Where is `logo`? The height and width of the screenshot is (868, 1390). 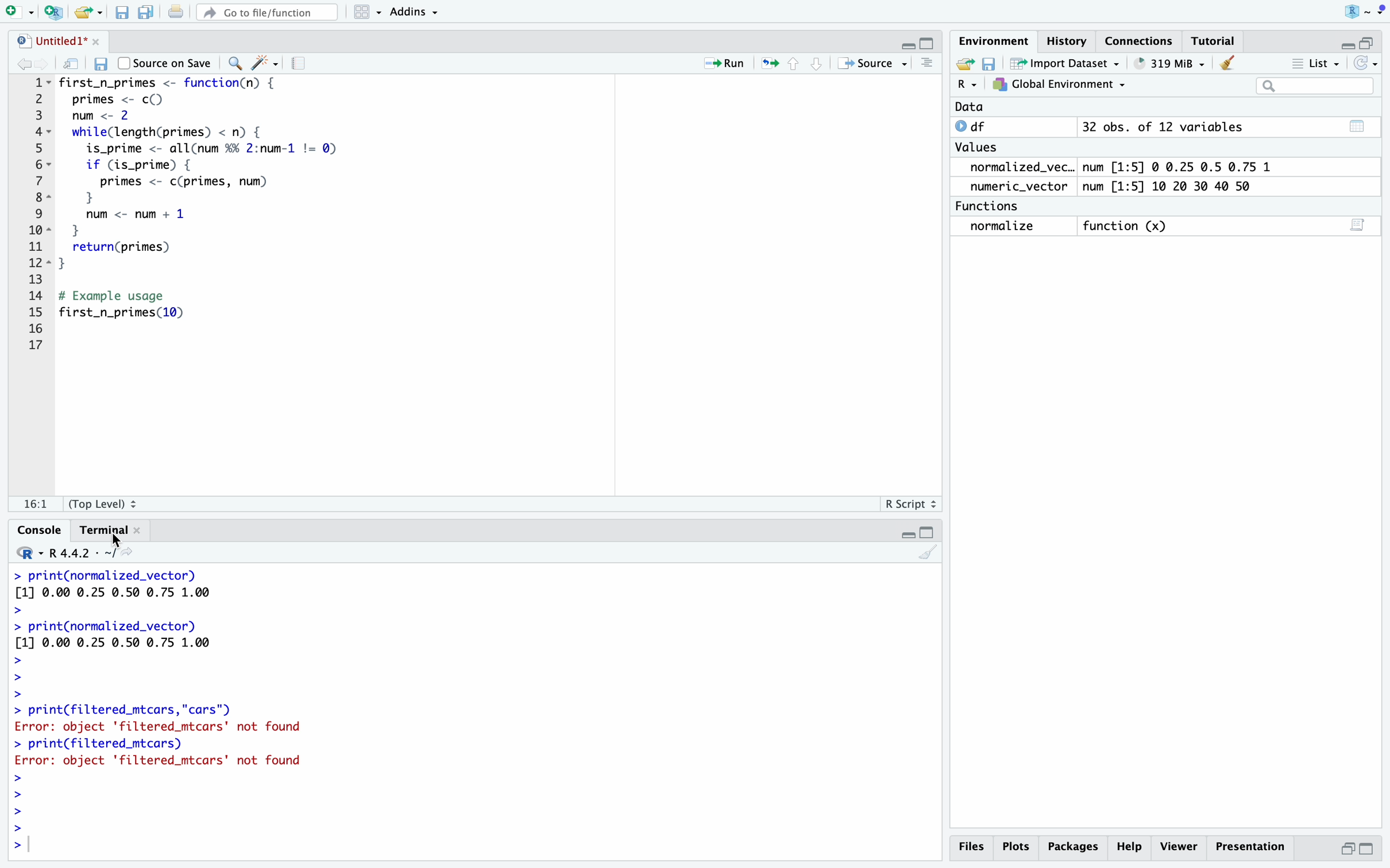
logo is located at coordinates (26, 12).